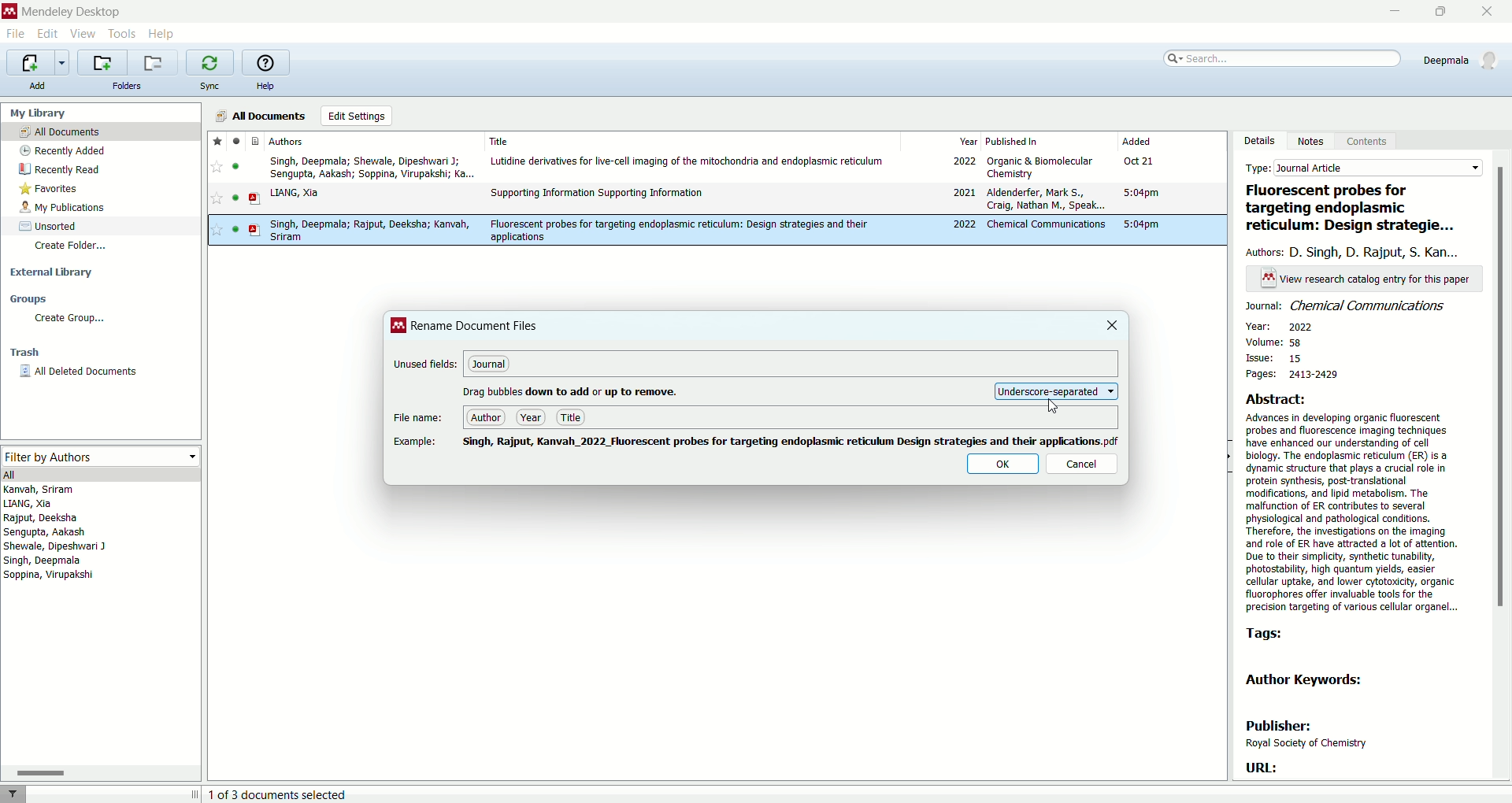 This screenshot has height=803, width=1512. I want to click on vertical scroll bar, so click(1503, 465).